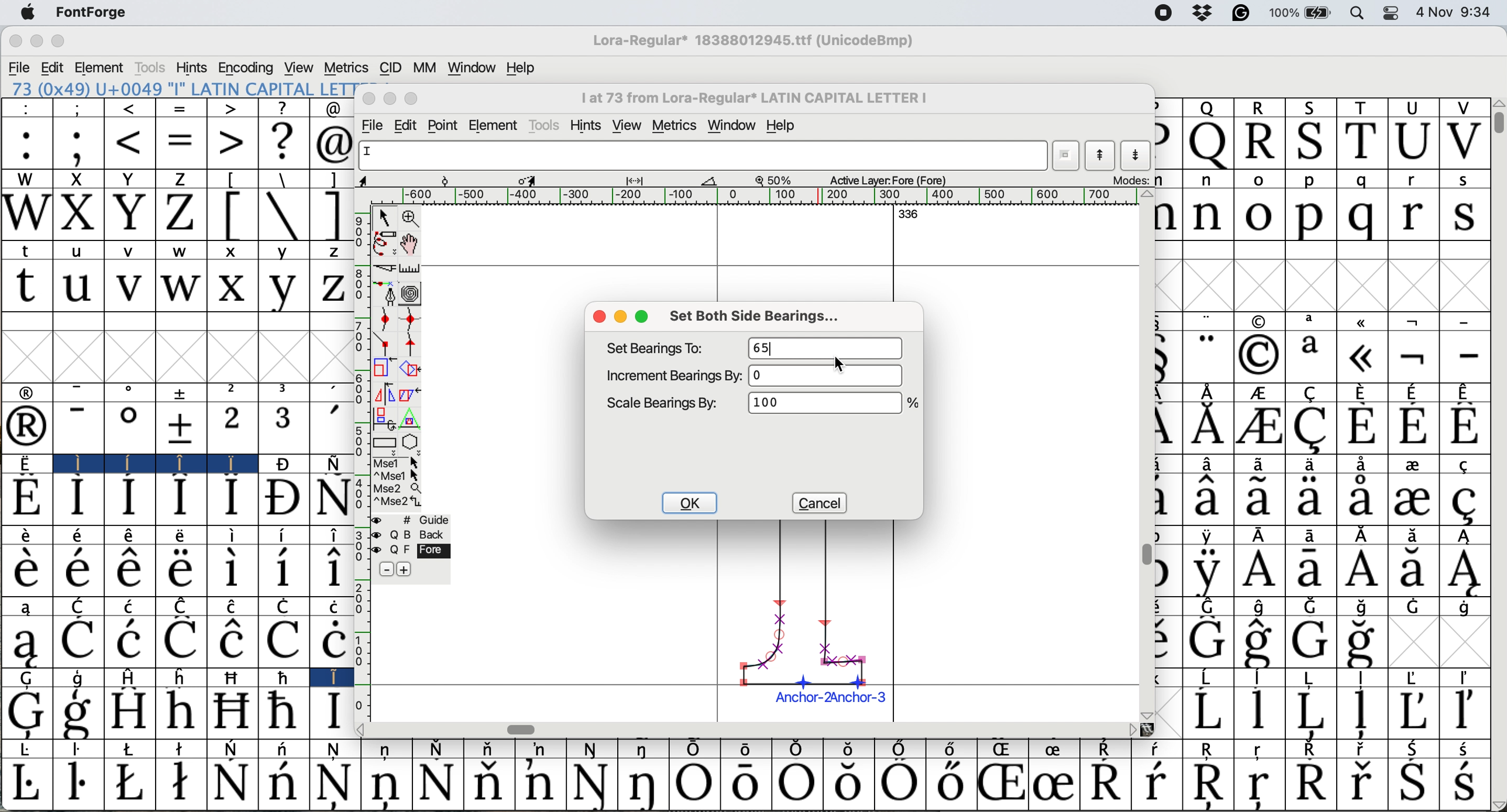 The image size is (1507, 812). Describe the element at coordinates (902, 785) in the screenshot. I see `Symbol` at that location.